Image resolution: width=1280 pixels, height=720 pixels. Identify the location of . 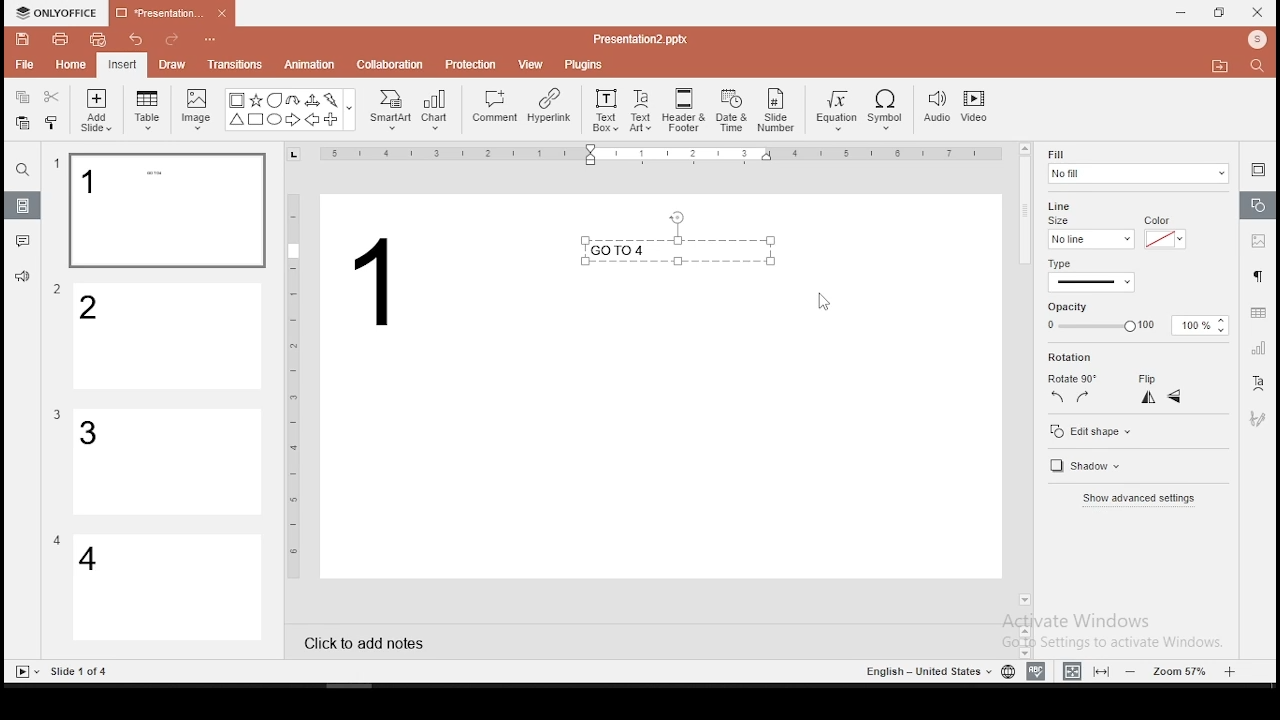
(214, 41).